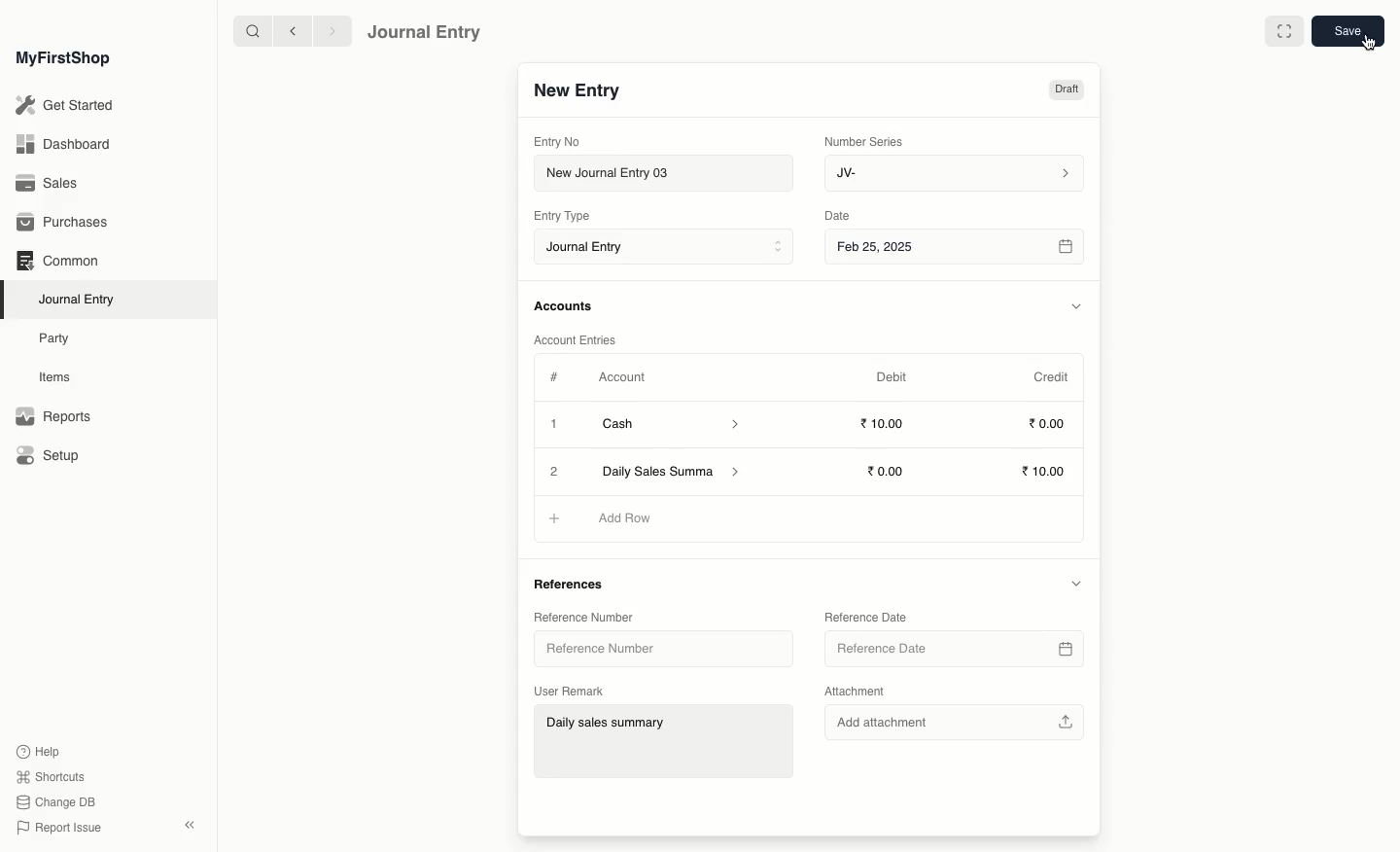 This screenshot has height=852, width=1400. Describe the element at coordinates (62, 143) in the screenshot. I see `Dashboard` at that location.